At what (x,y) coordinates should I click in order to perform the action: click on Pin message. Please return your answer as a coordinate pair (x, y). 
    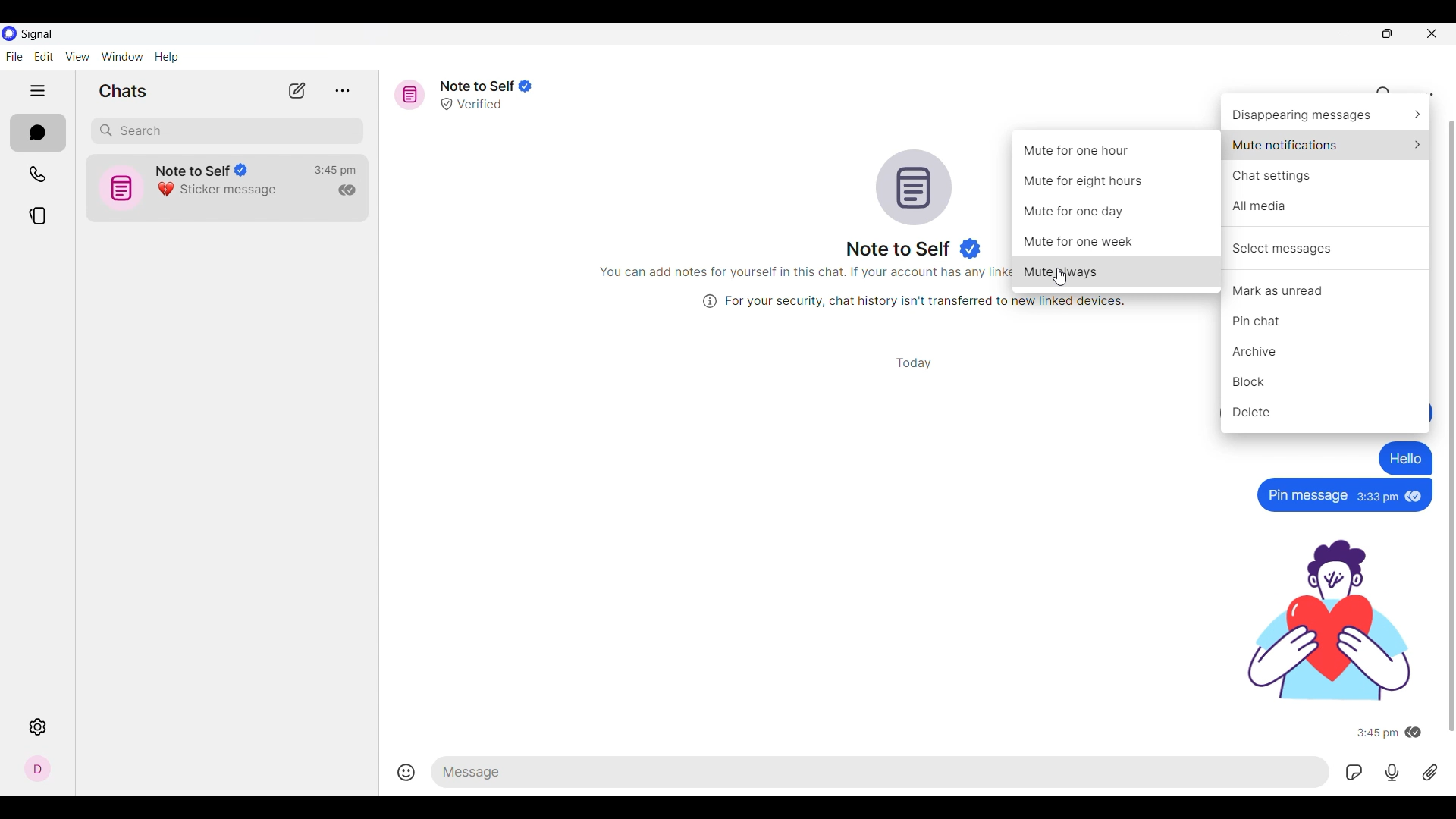
    Looking at the image, I should click on (1306, 496).